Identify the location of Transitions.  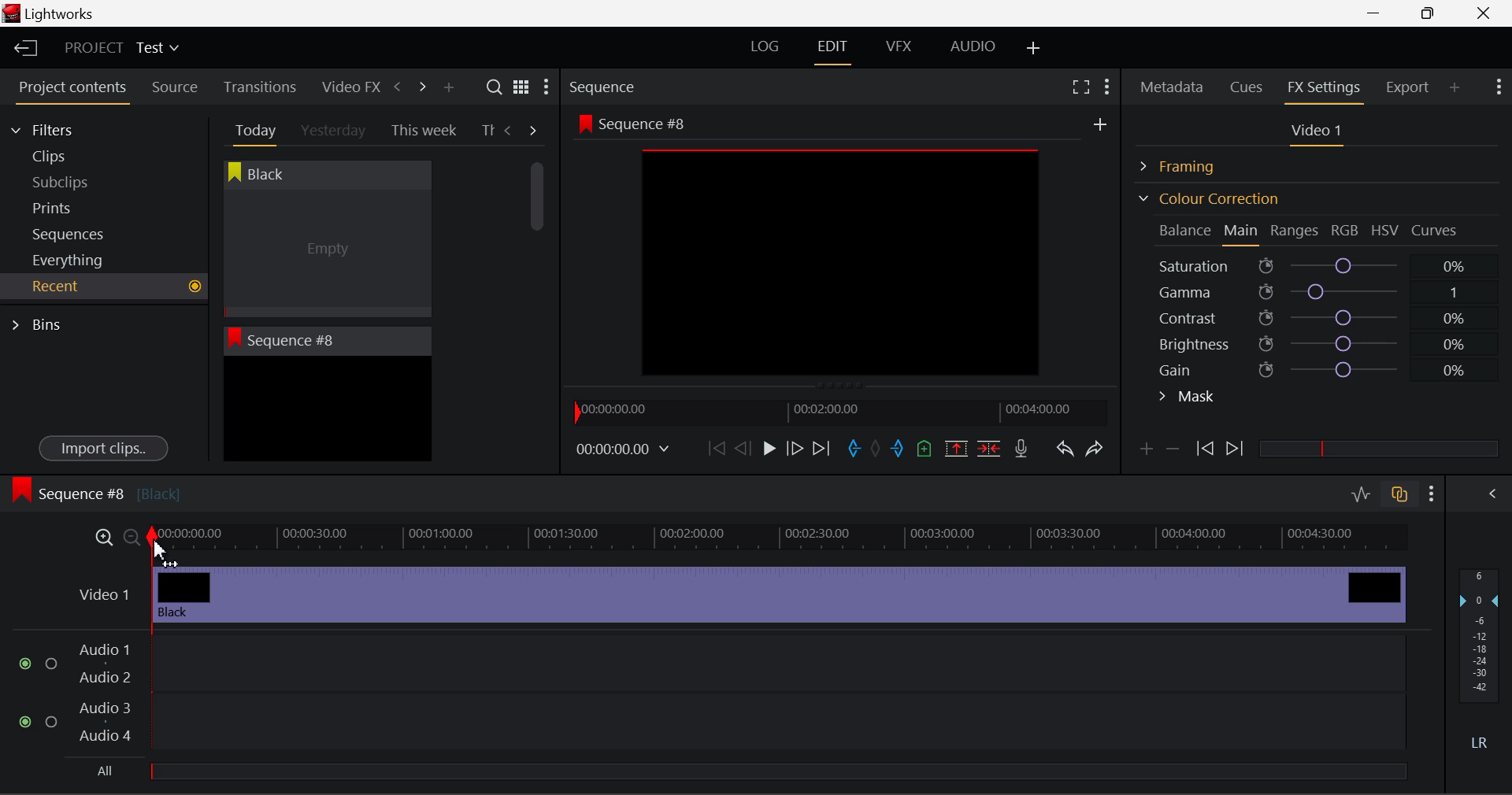
(260, 87).